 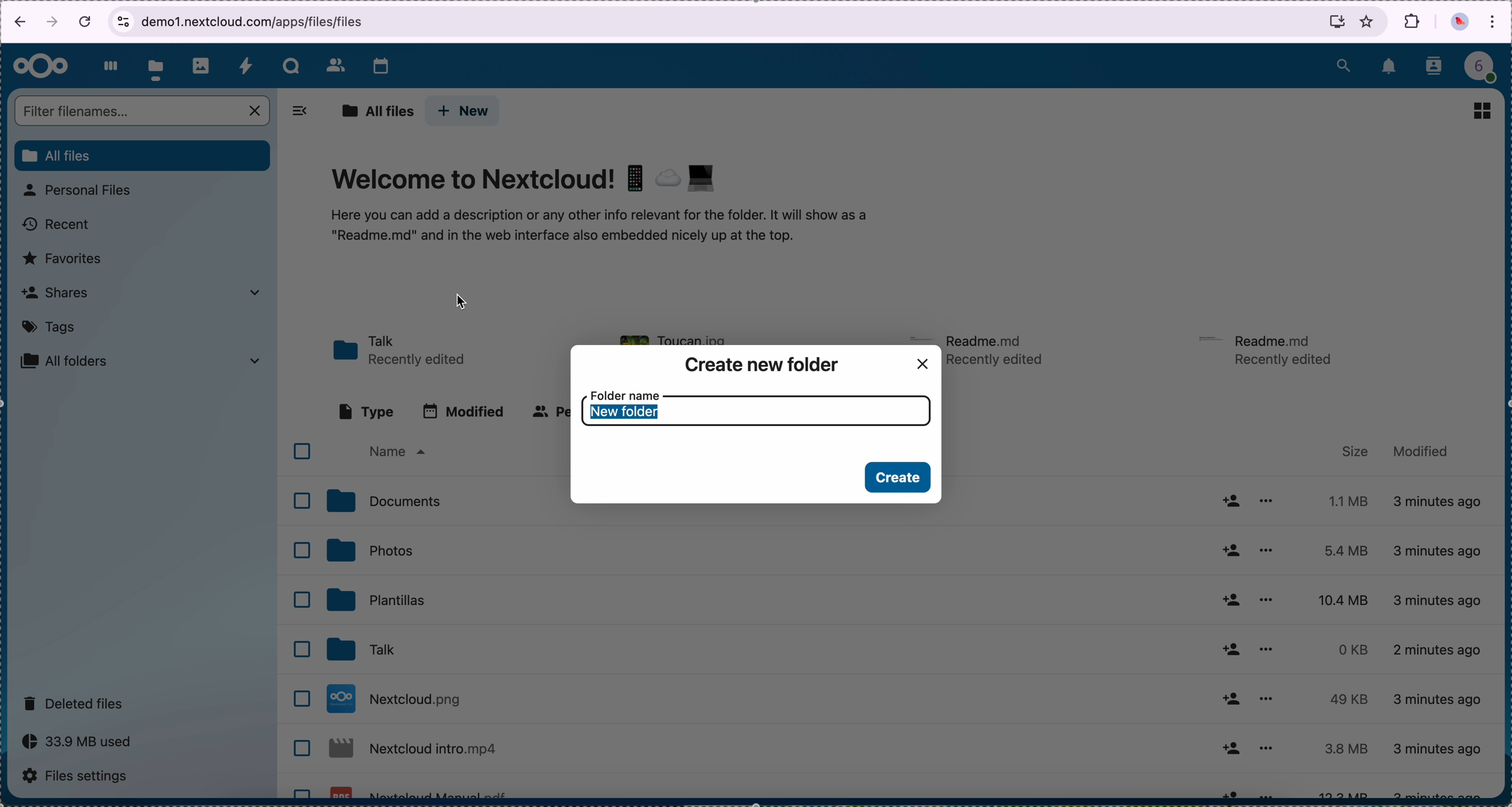 What do you see at coordinates (1487, 70) in the screenshot?
I see `profile` at bounding box center [1487, 70].